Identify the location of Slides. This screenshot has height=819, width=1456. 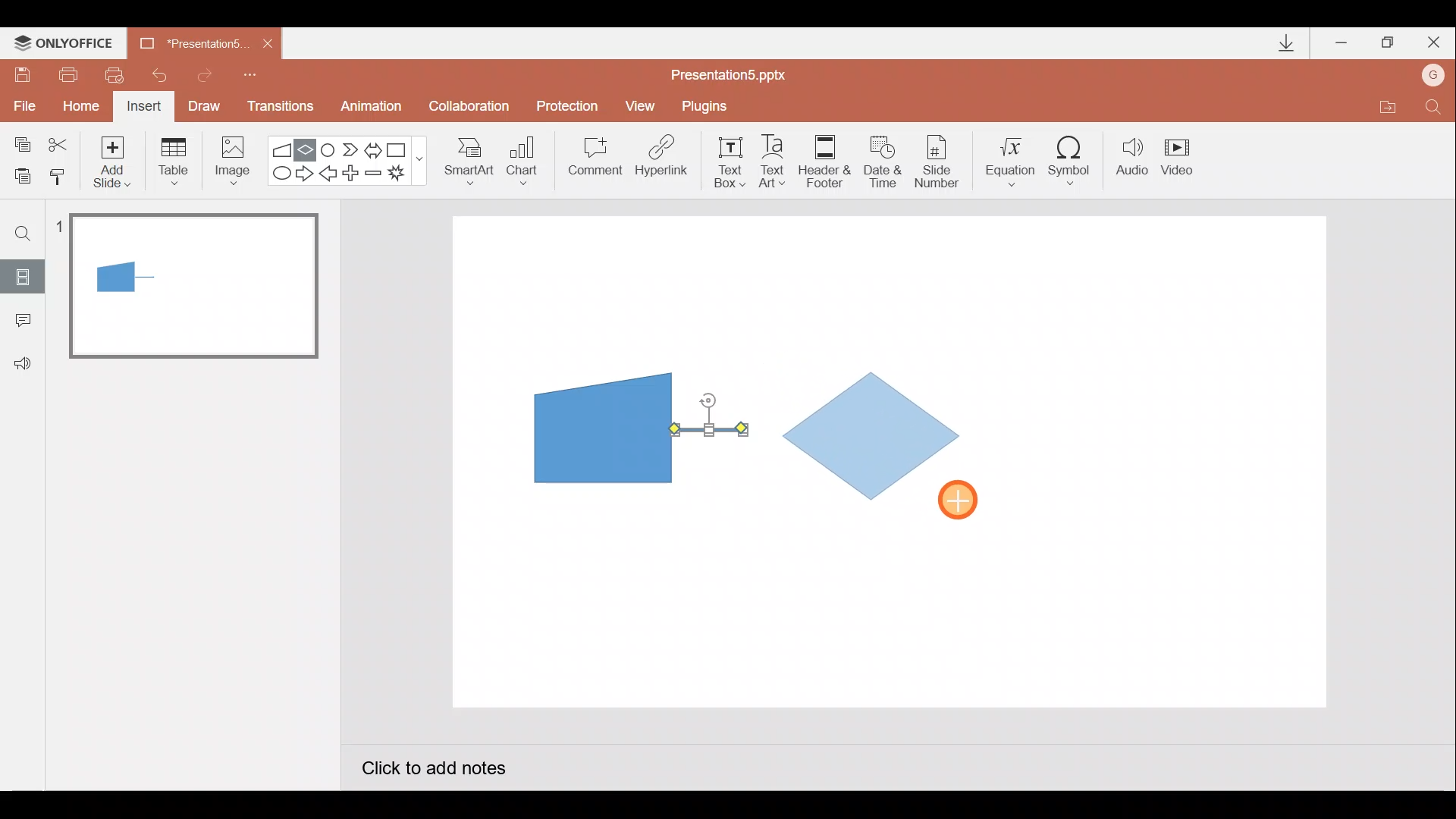
(22, 276).